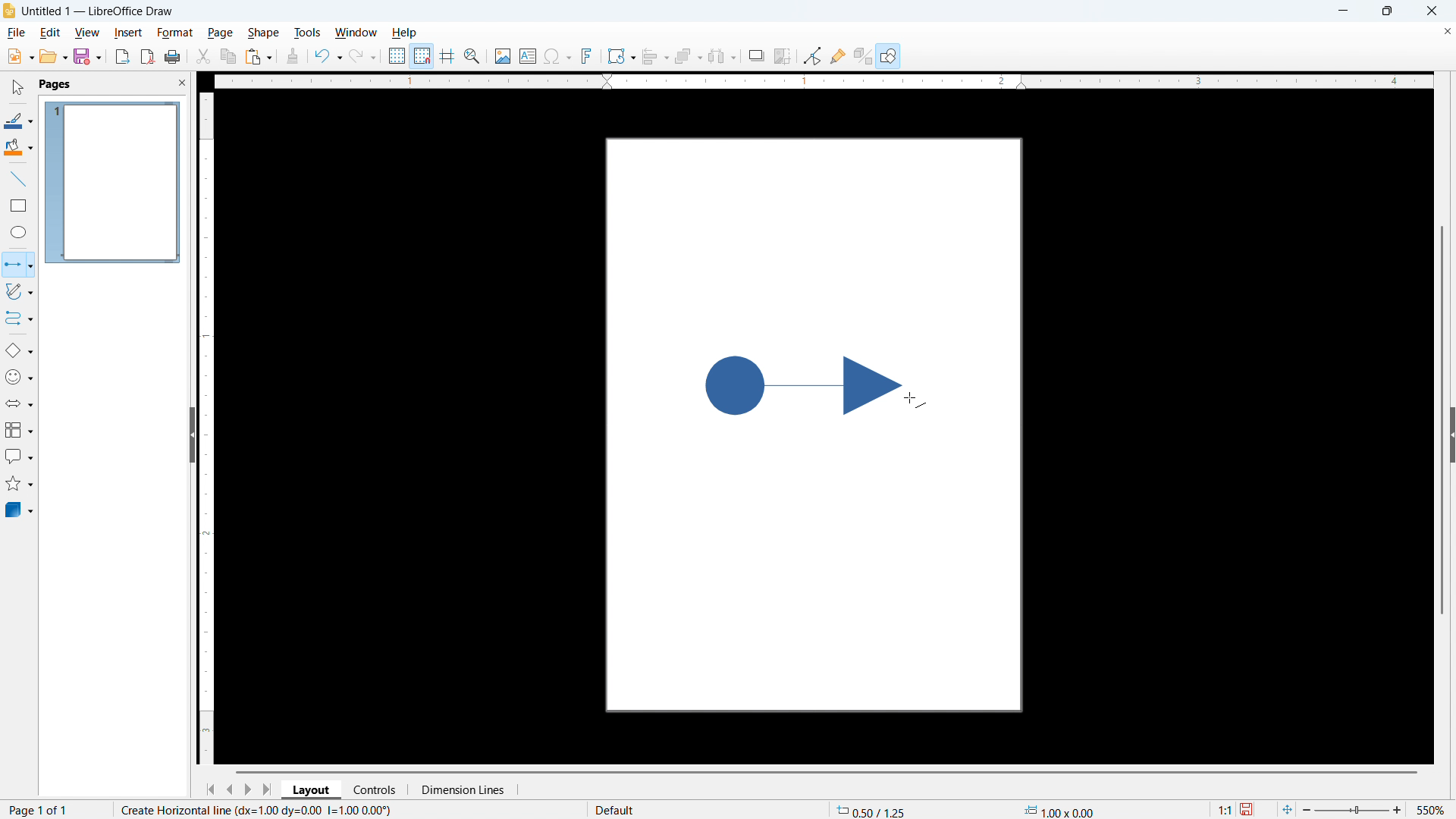 The image size is (1456, 819). I want to click on save , so click(88, 55).